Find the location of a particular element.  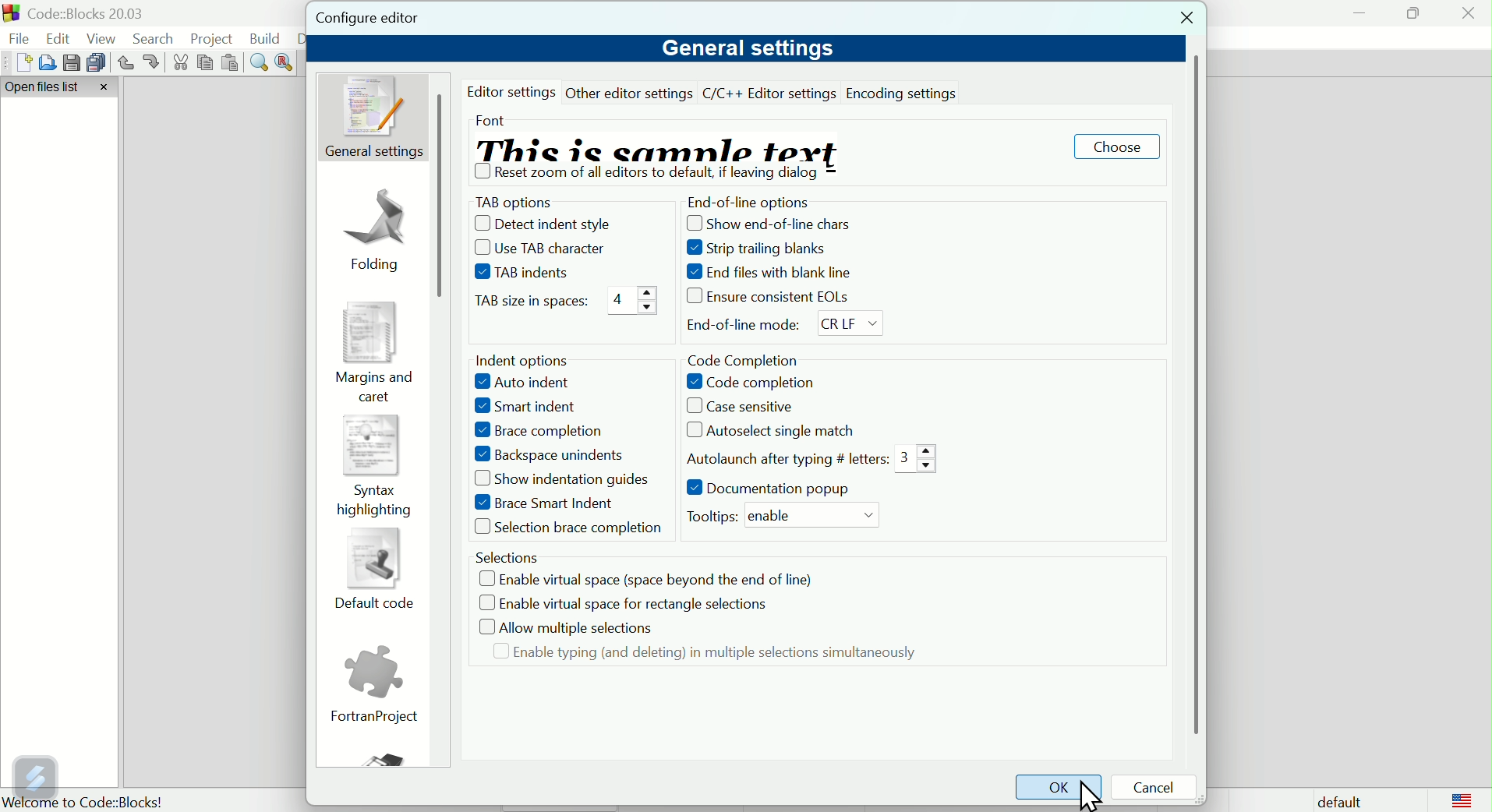

logo is located at coordinates (1462, 800).